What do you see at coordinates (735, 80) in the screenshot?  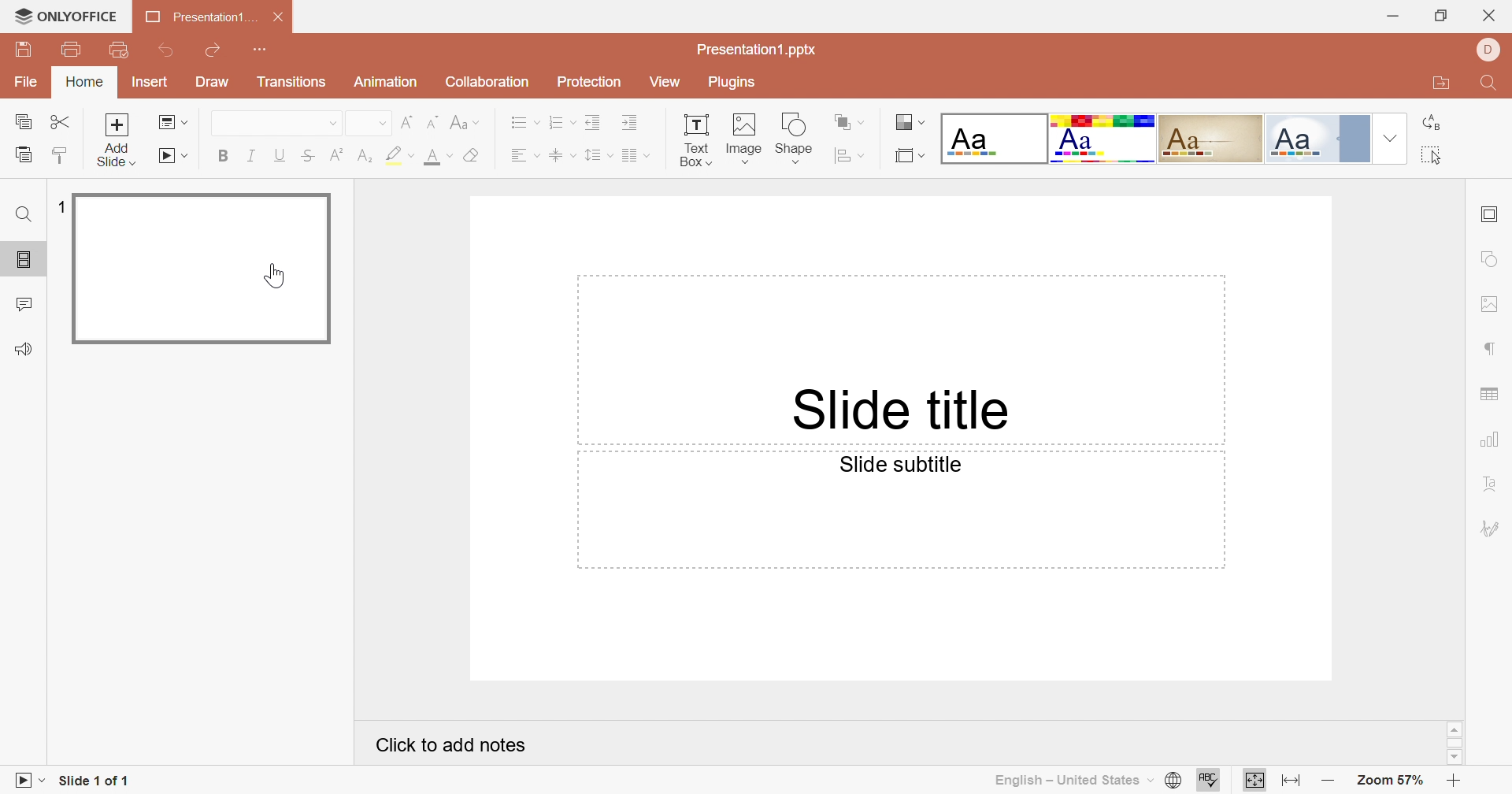 I see `Plugins` at bounding box center [735, 80].